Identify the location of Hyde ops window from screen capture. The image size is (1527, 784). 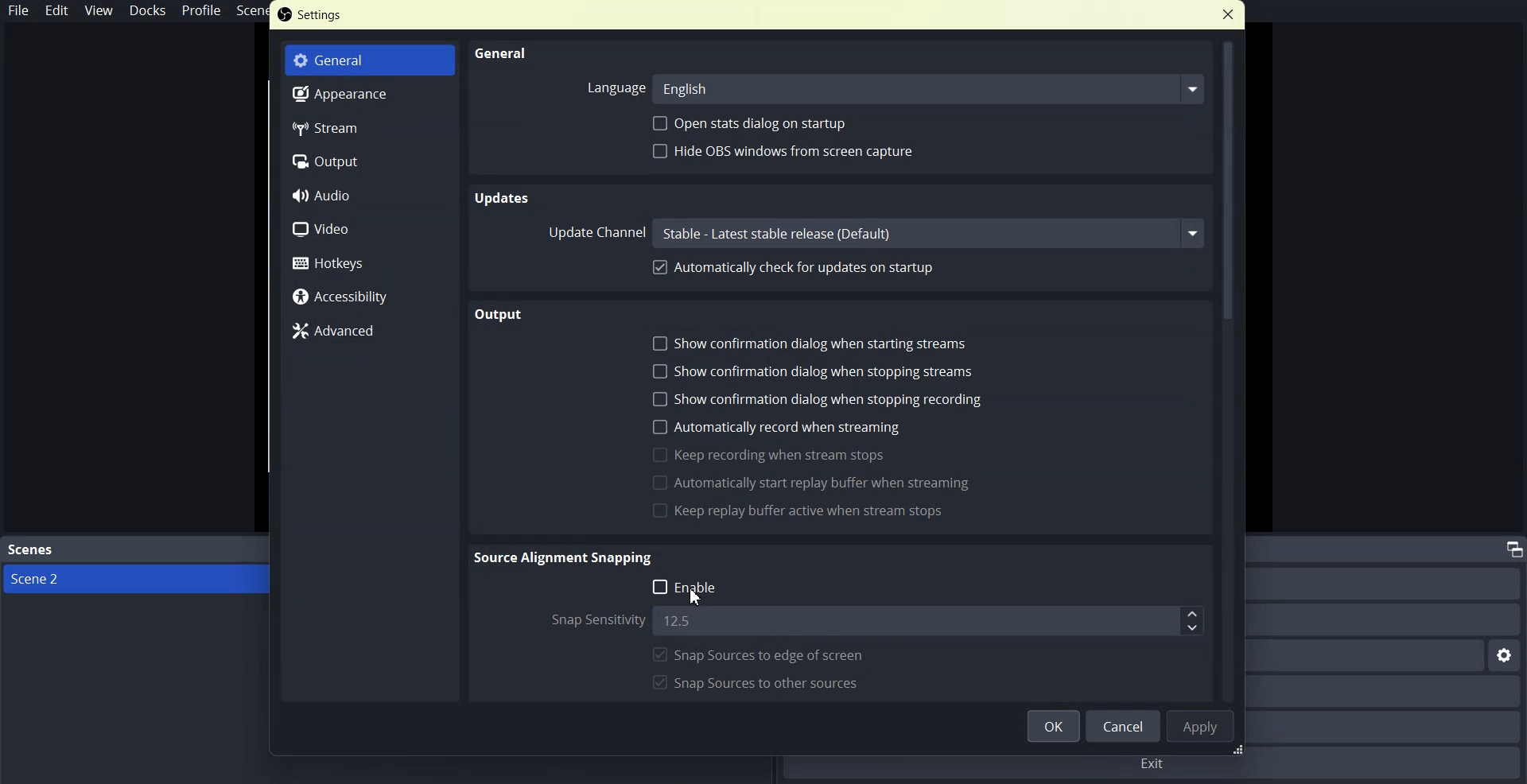
(783, 153).